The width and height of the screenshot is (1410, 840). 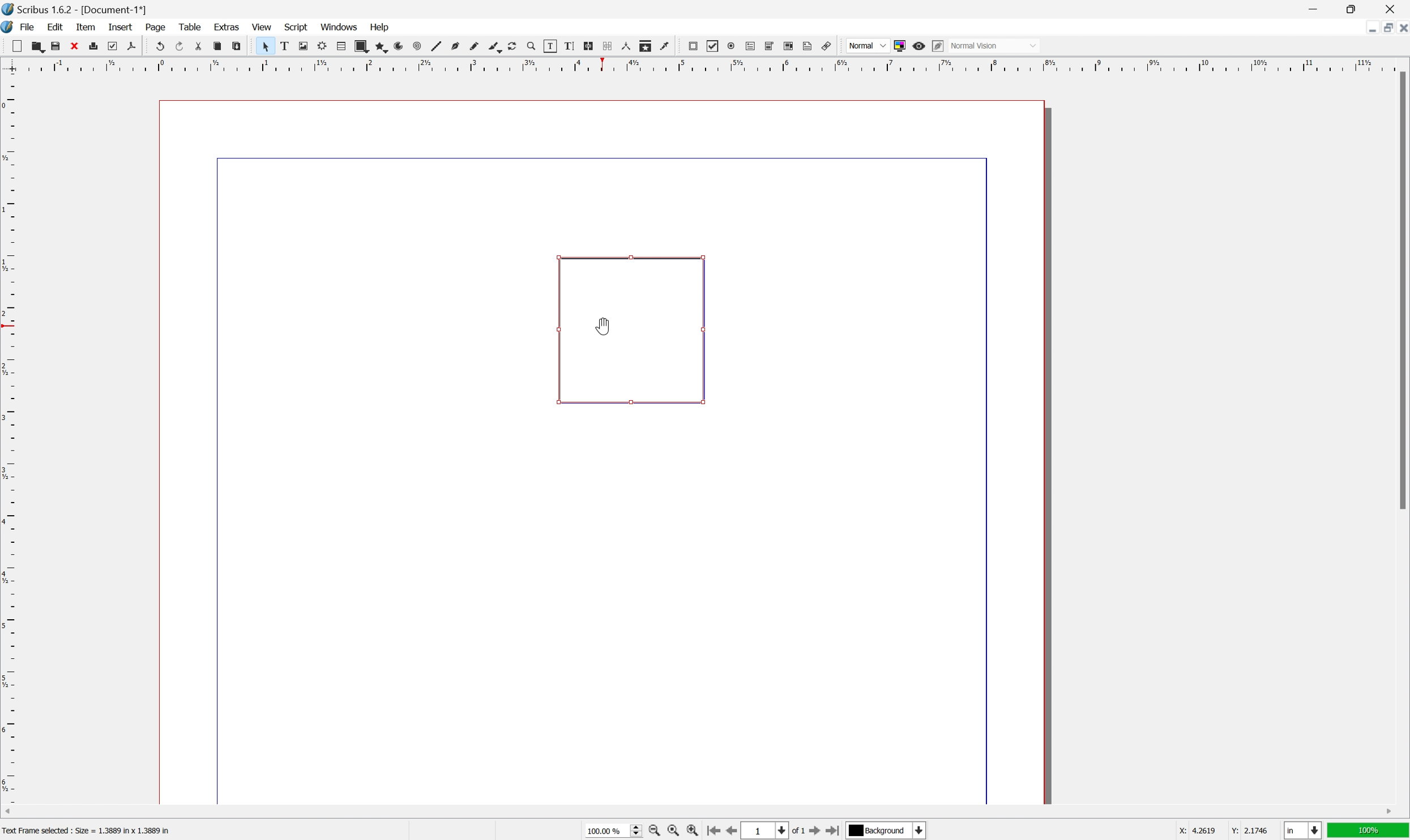 What do you see at coordinates (236, 46) in the screenshot?
I see `paste` at bounding box center [236, 46].